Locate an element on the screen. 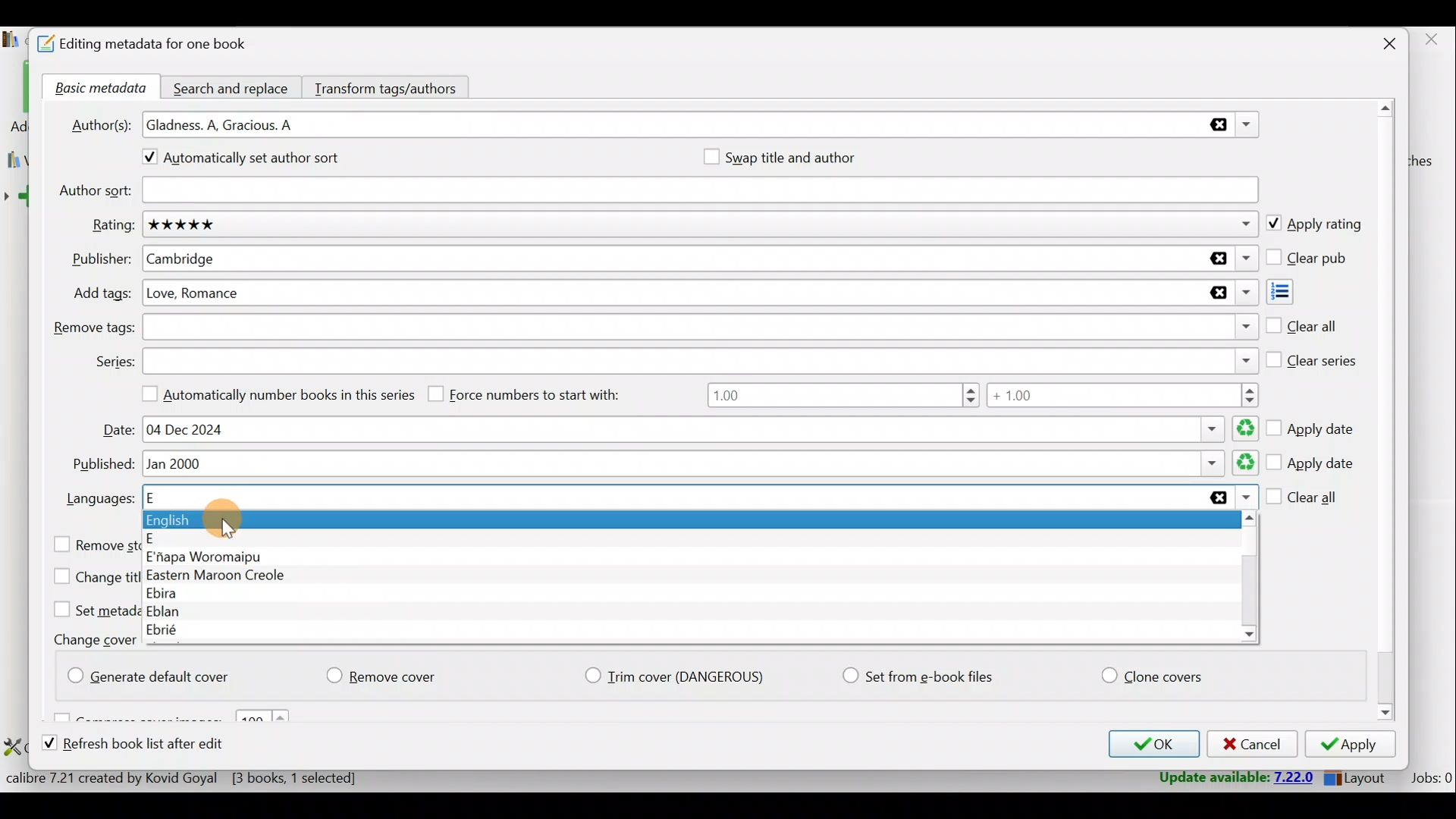  Editing metadata for one book is located at coordinates (161, 45).